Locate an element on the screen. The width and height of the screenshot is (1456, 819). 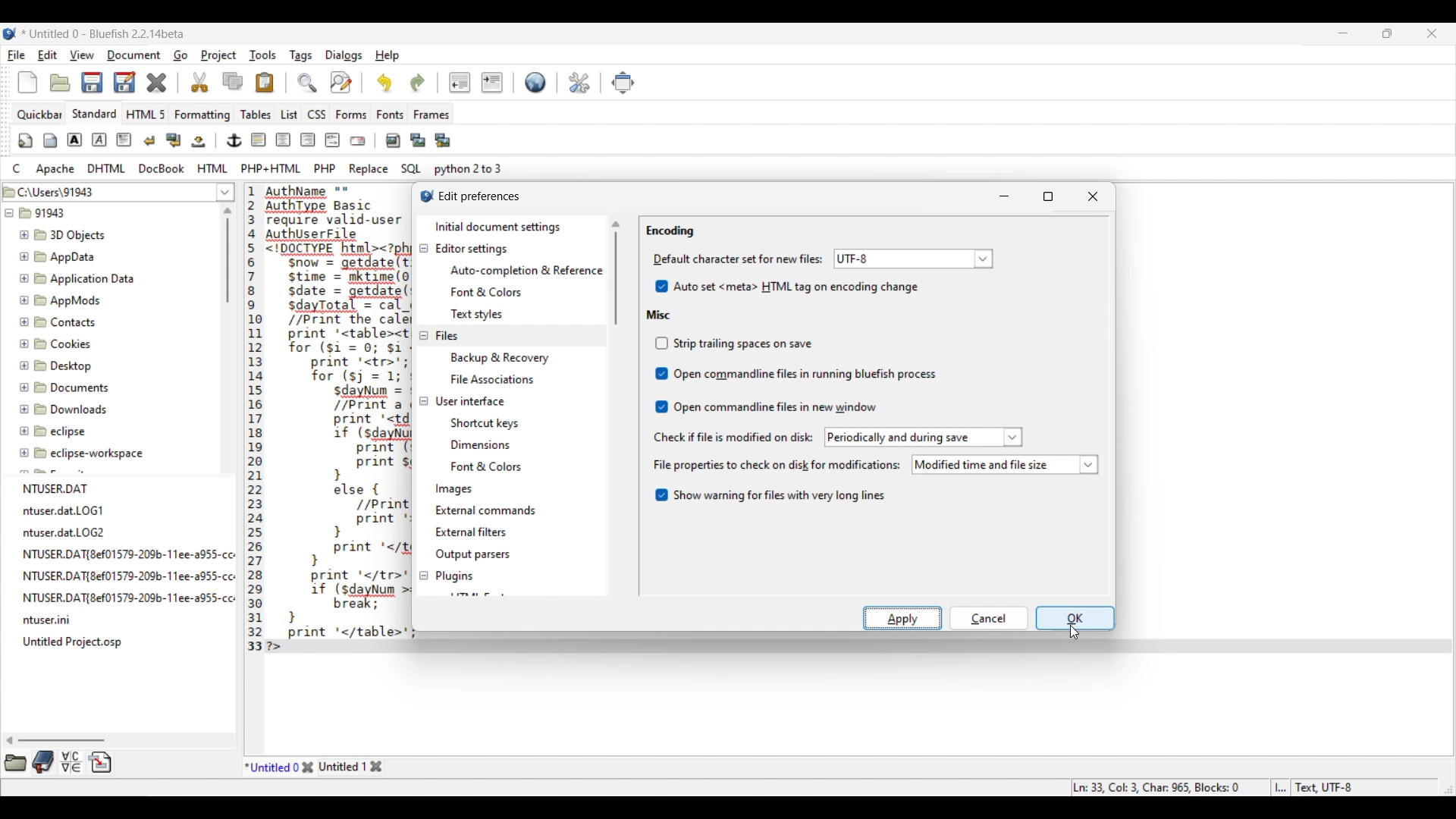
Image and text edit tools is located at coordinates (237, 140).